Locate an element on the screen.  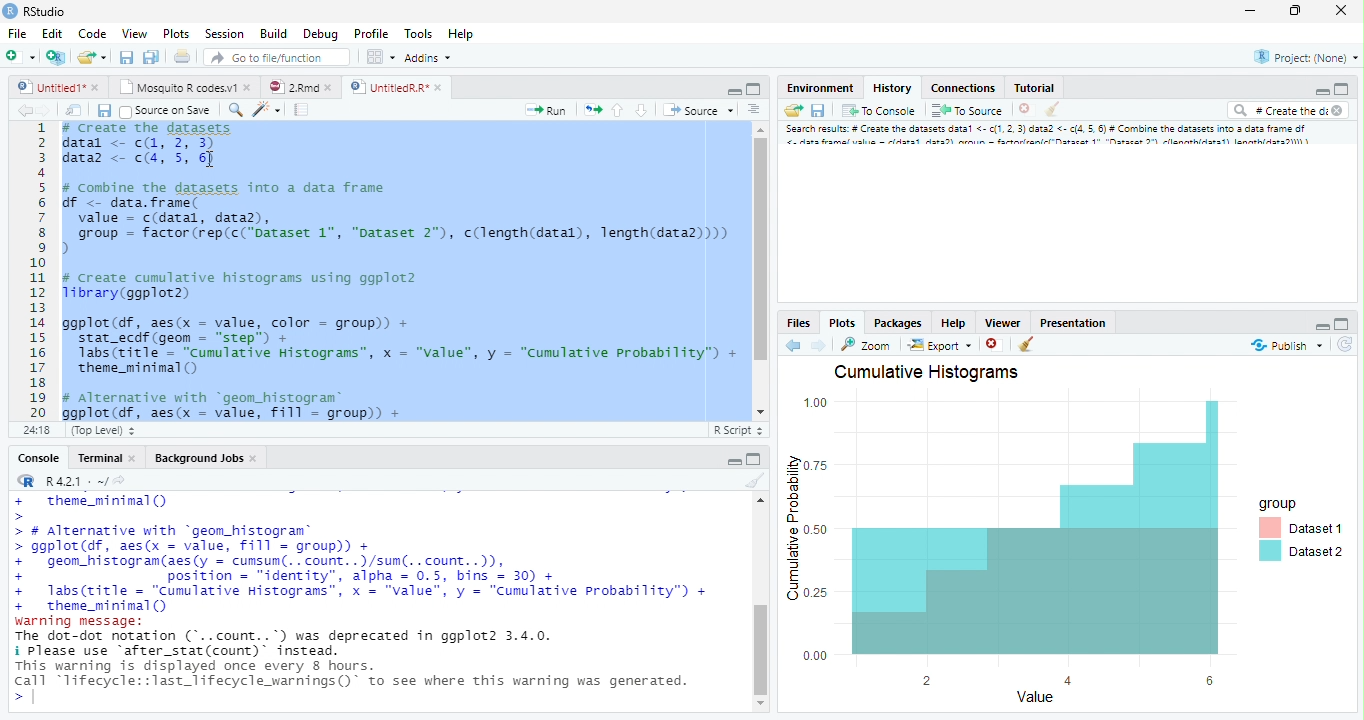
Help is located at coordinates (953, 322).